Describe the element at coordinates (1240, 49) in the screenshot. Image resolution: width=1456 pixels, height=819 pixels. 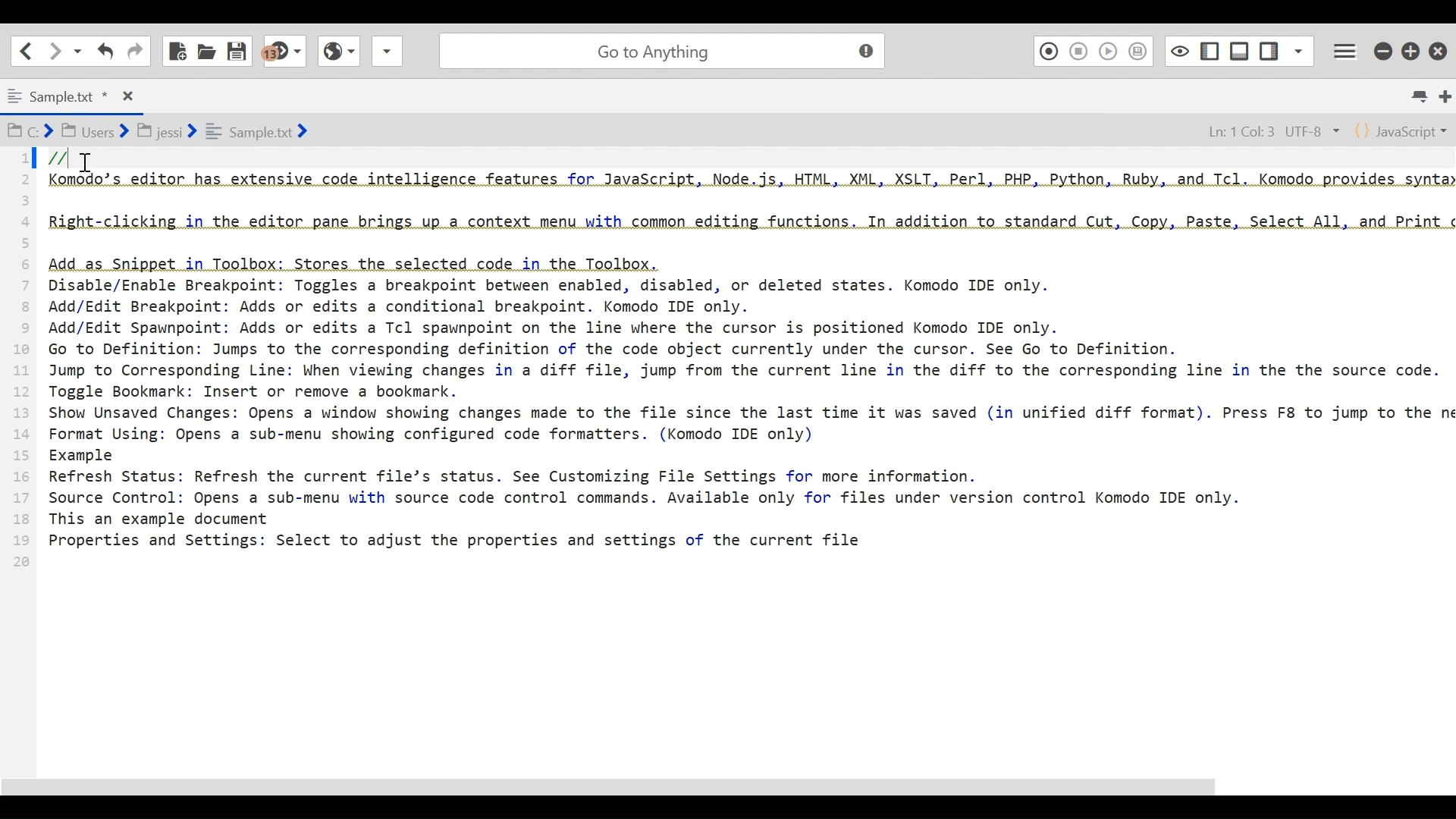
I see `Show/Hide Bottom Panel` at that location.